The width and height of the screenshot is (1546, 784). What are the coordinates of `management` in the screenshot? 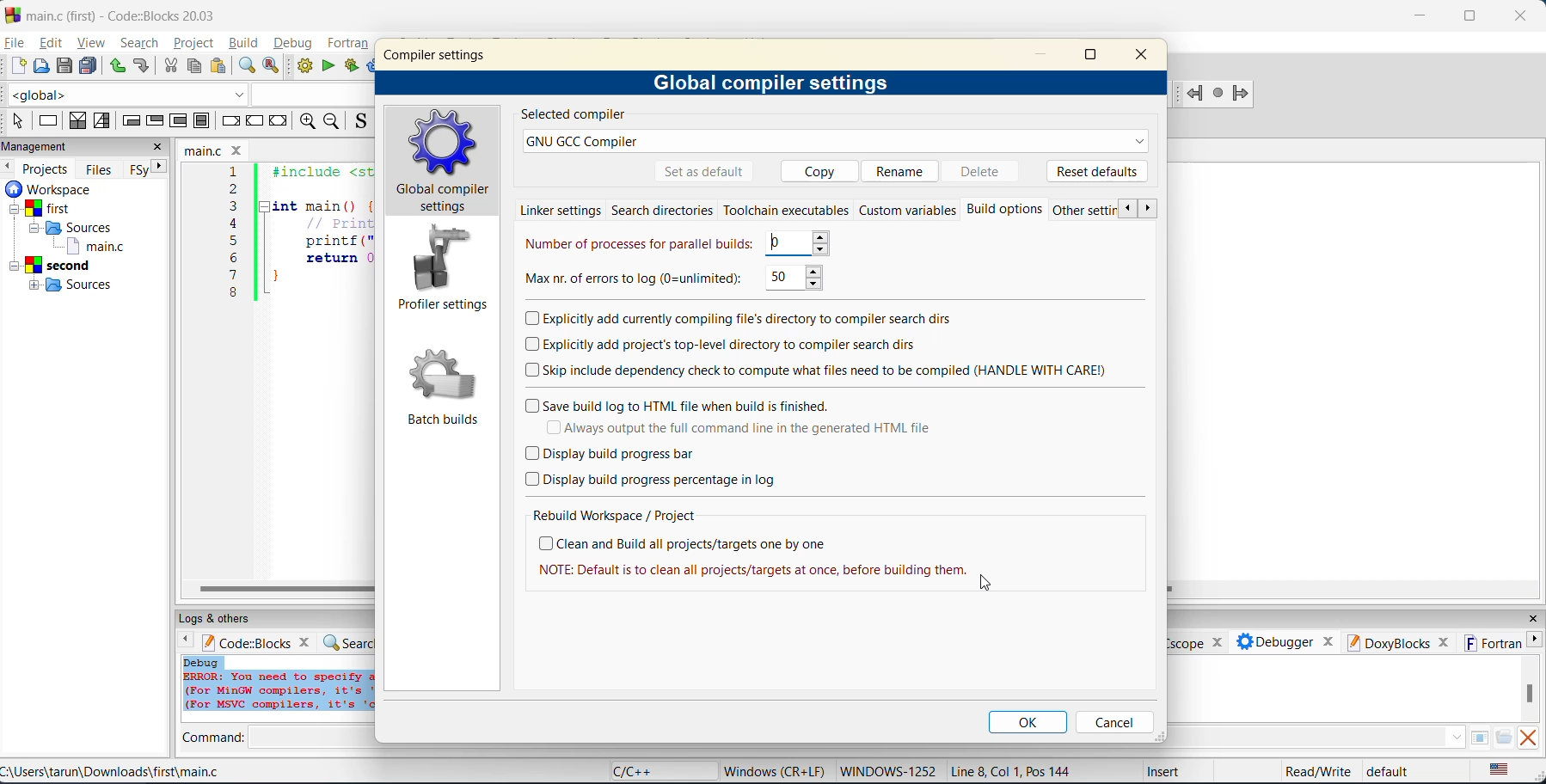 It's located at (41, 146).